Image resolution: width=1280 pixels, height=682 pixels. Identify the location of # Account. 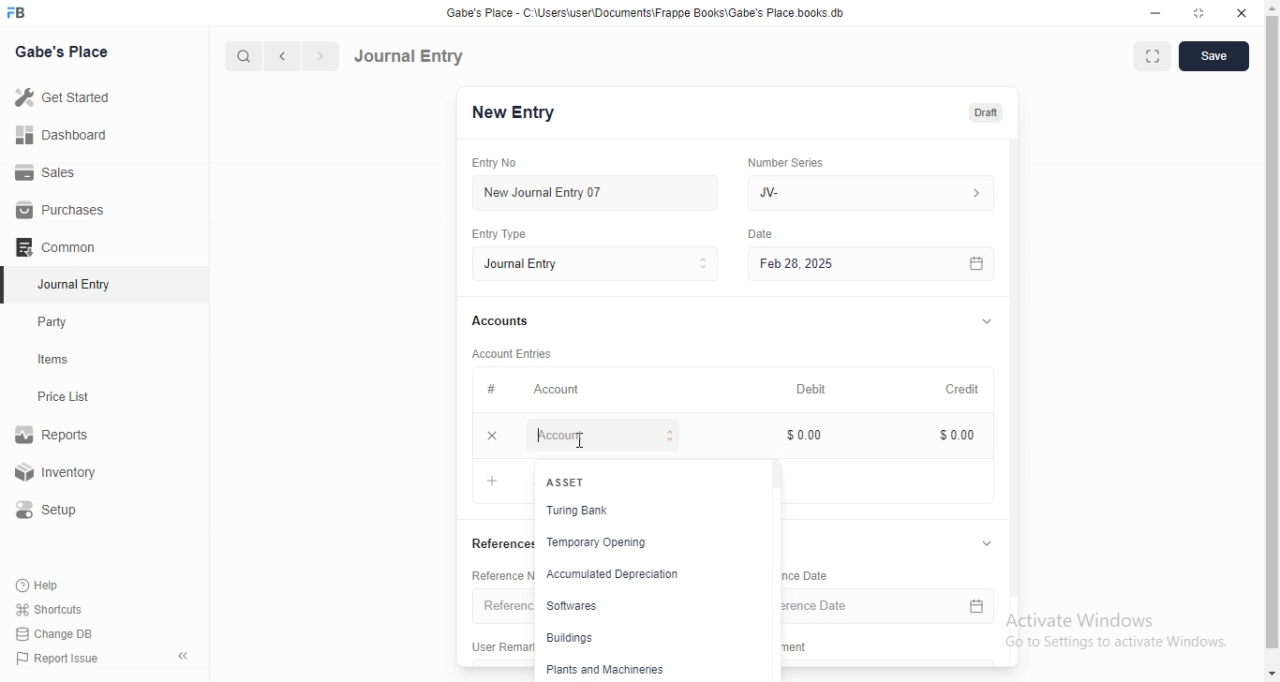
(538, 390).